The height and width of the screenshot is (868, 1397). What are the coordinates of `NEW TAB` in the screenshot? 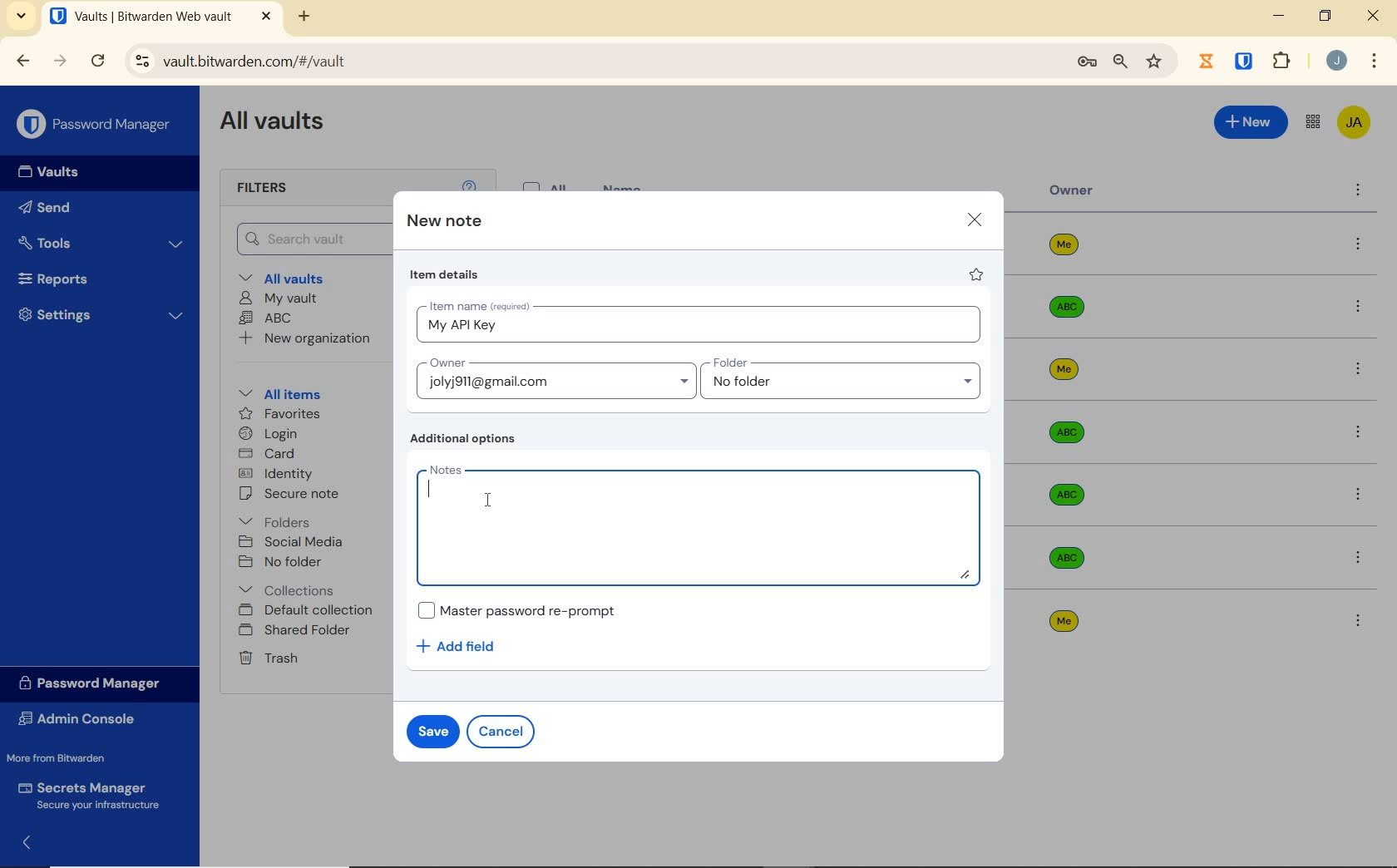 It's located at (306, 17).